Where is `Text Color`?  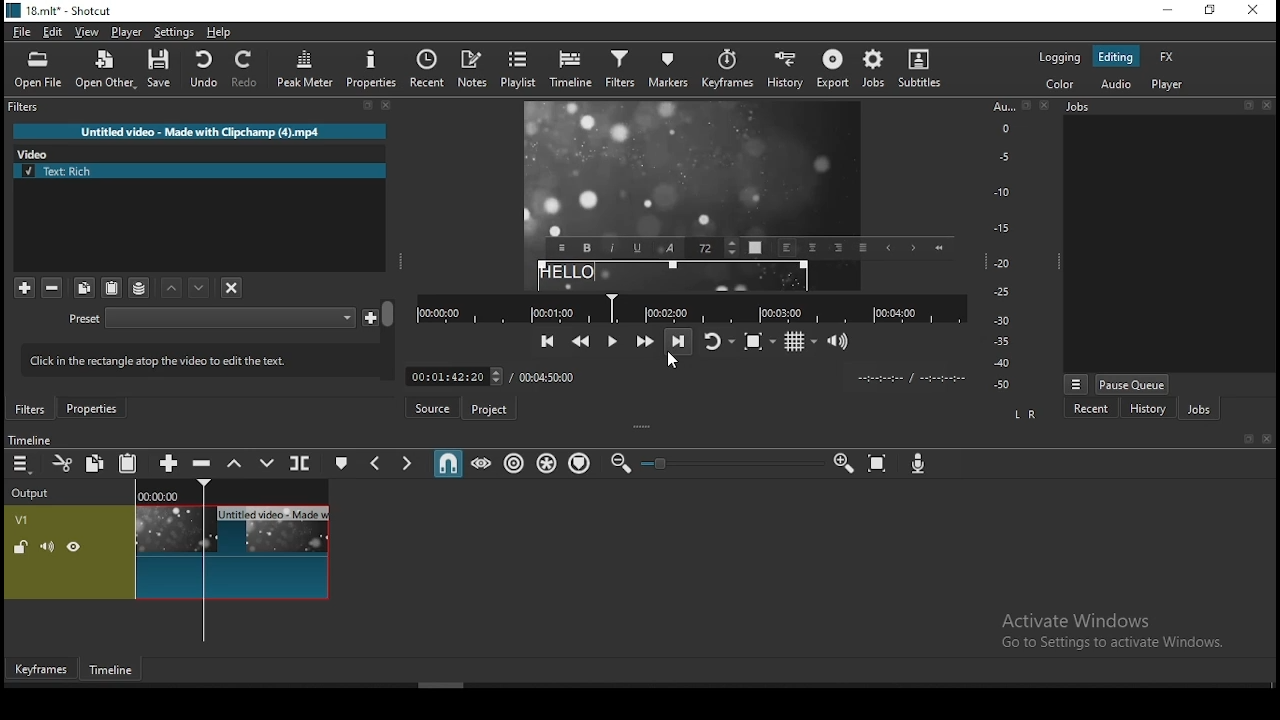
Text Color is located at coordinates (755, 247).